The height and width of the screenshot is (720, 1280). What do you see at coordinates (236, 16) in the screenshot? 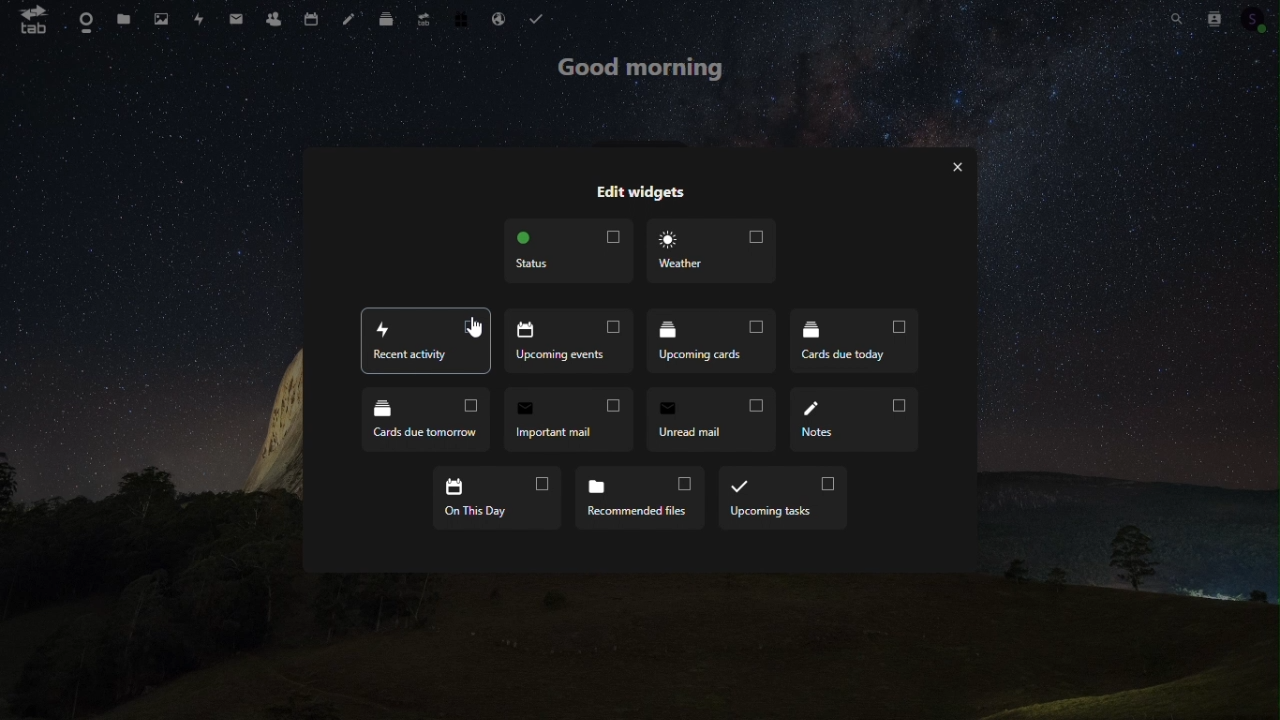
I see `mail` at bounding box center [236, 16].